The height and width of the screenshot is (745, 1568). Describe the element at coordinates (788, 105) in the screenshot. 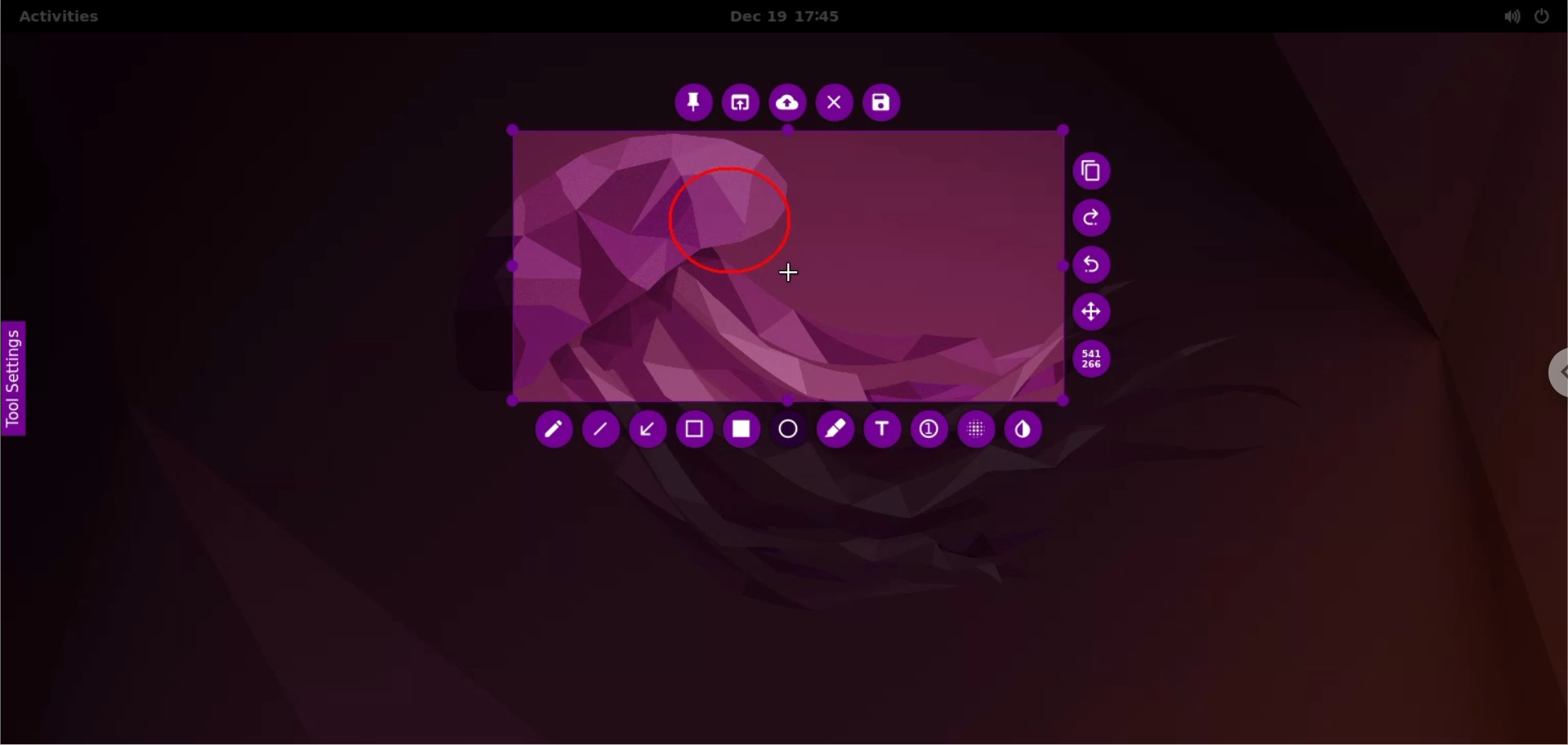

I see `upload ` at that location.